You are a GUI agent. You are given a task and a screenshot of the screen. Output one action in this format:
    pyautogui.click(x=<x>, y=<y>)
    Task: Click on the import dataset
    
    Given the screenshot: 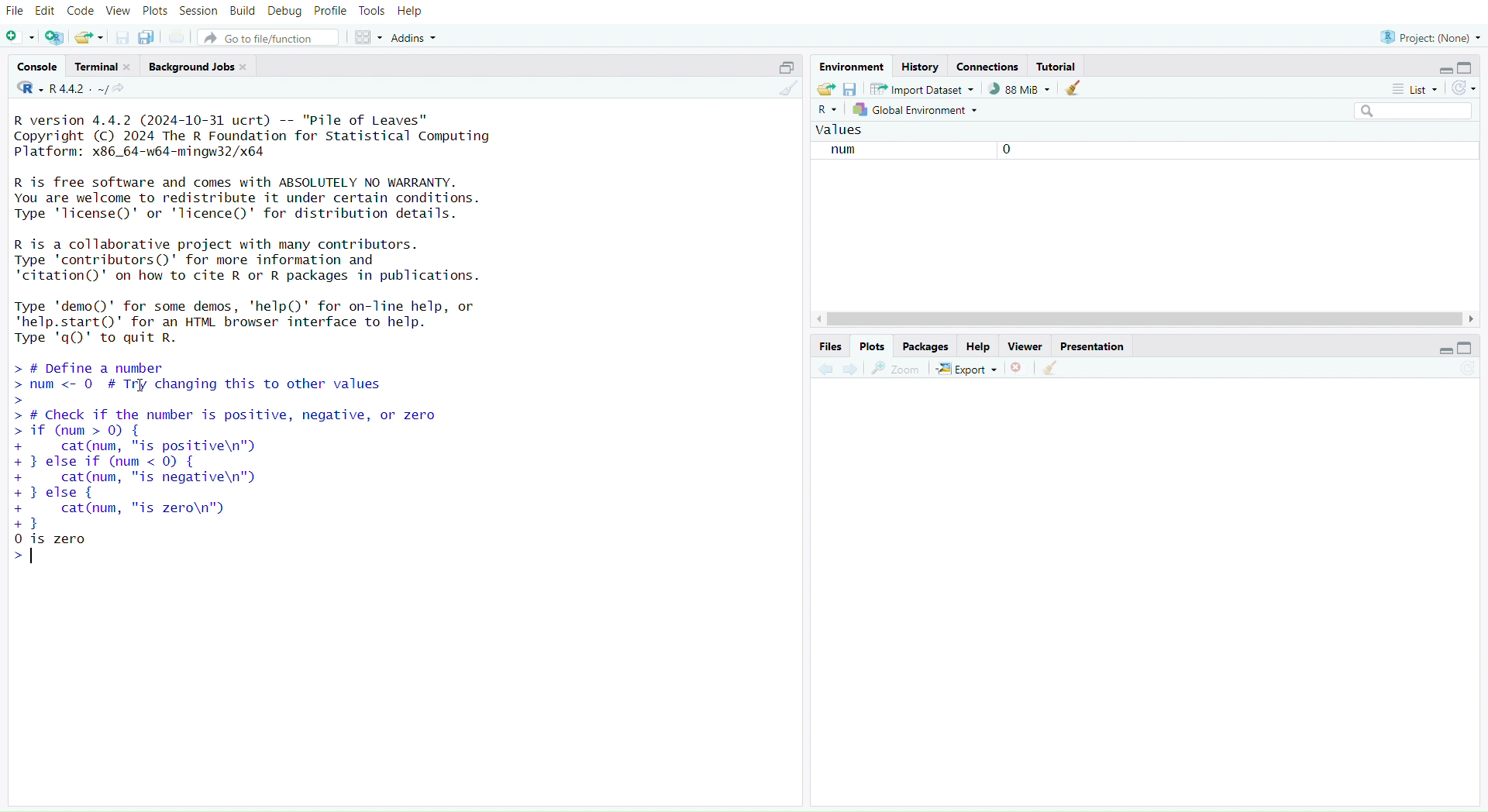 What is the action you would take?
    pyautogui.click(x=921, y=89)
    